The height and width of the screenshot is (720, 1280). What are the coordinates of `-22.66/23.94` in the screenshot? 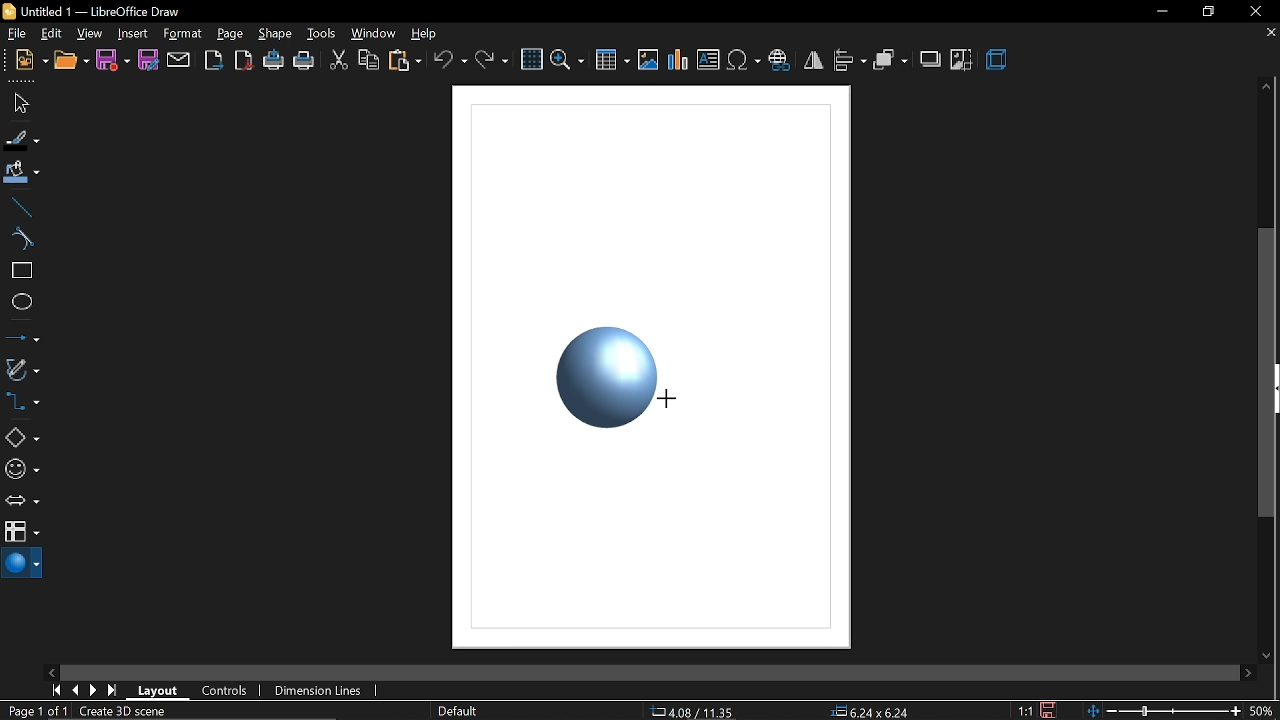 It's located at (702, 711).